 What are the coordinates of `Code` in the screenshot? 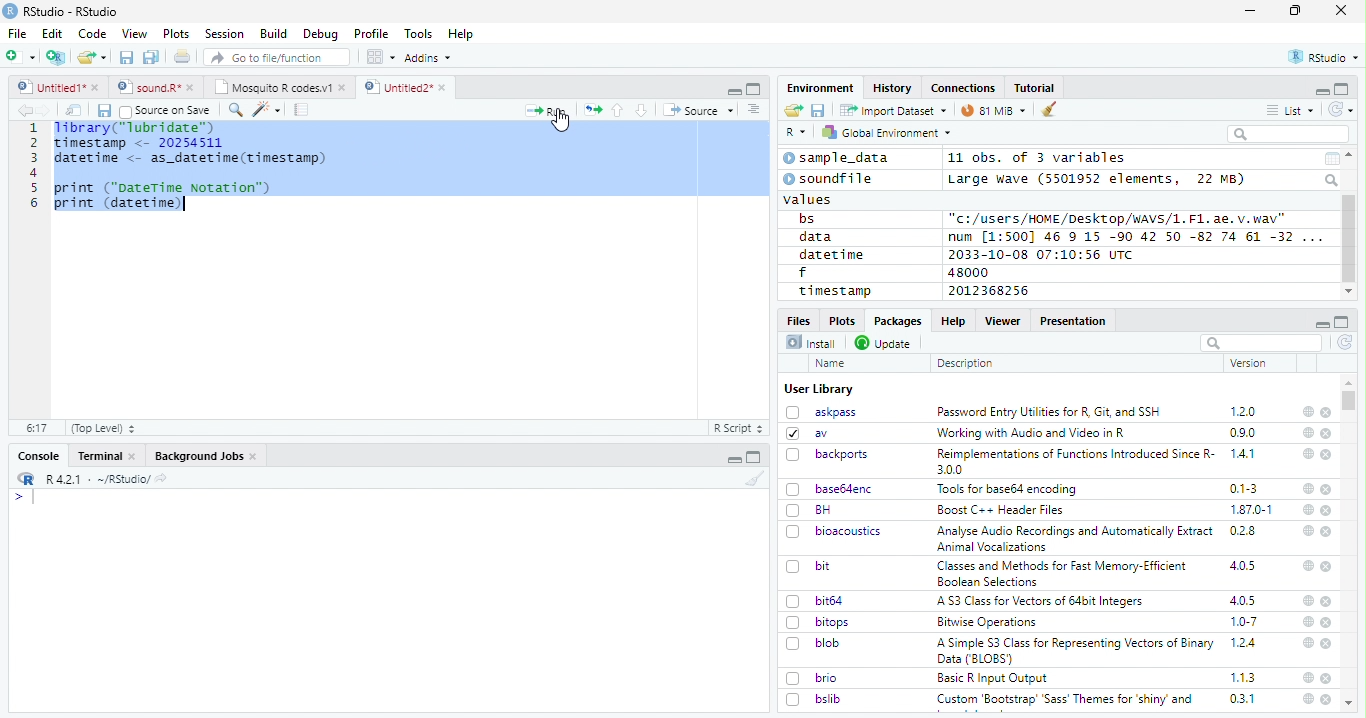 It's located at (91, 34).